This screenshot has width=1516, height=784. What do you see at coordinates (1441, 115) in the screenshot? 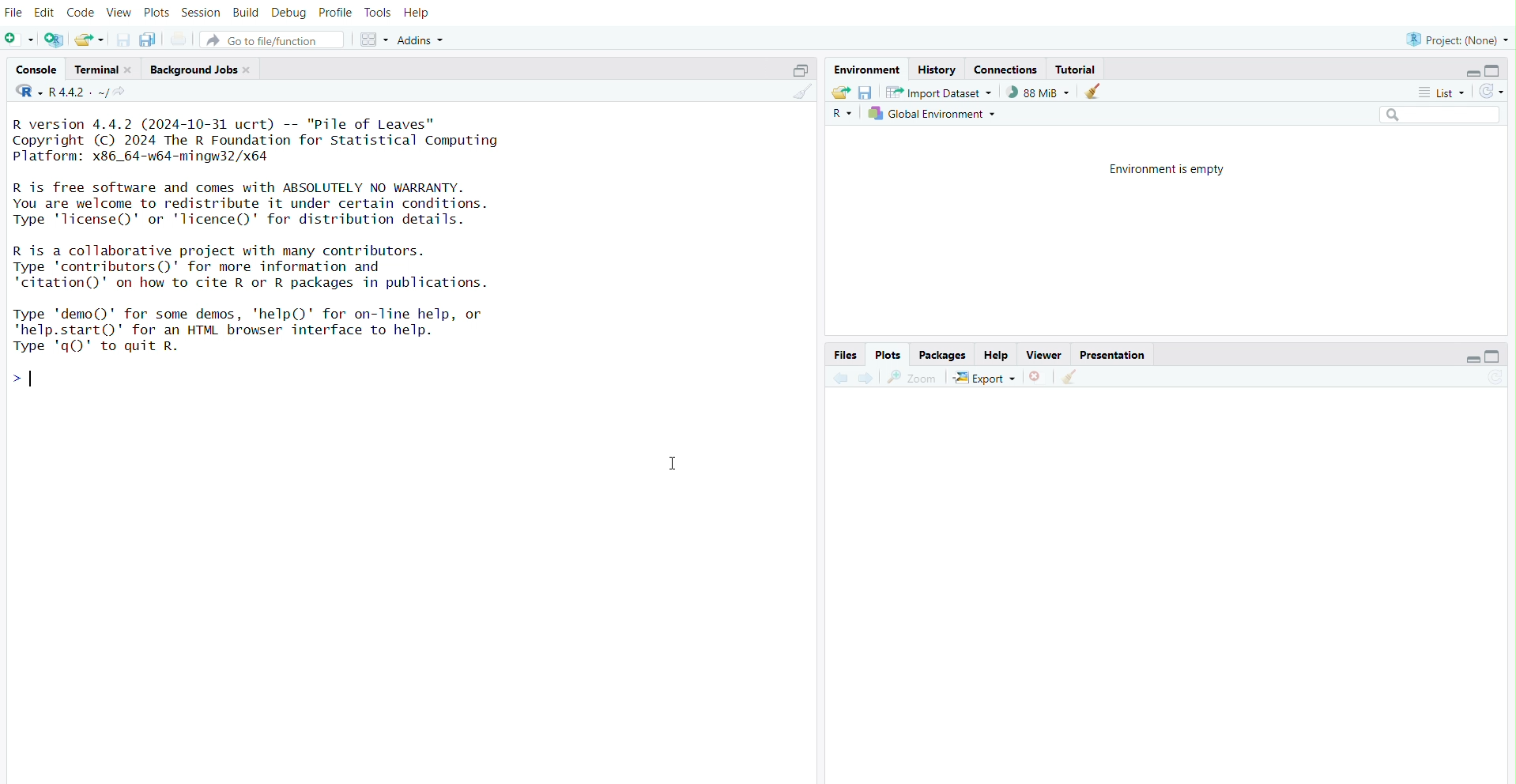
I see `search field` at bounding box center [1441, 115].